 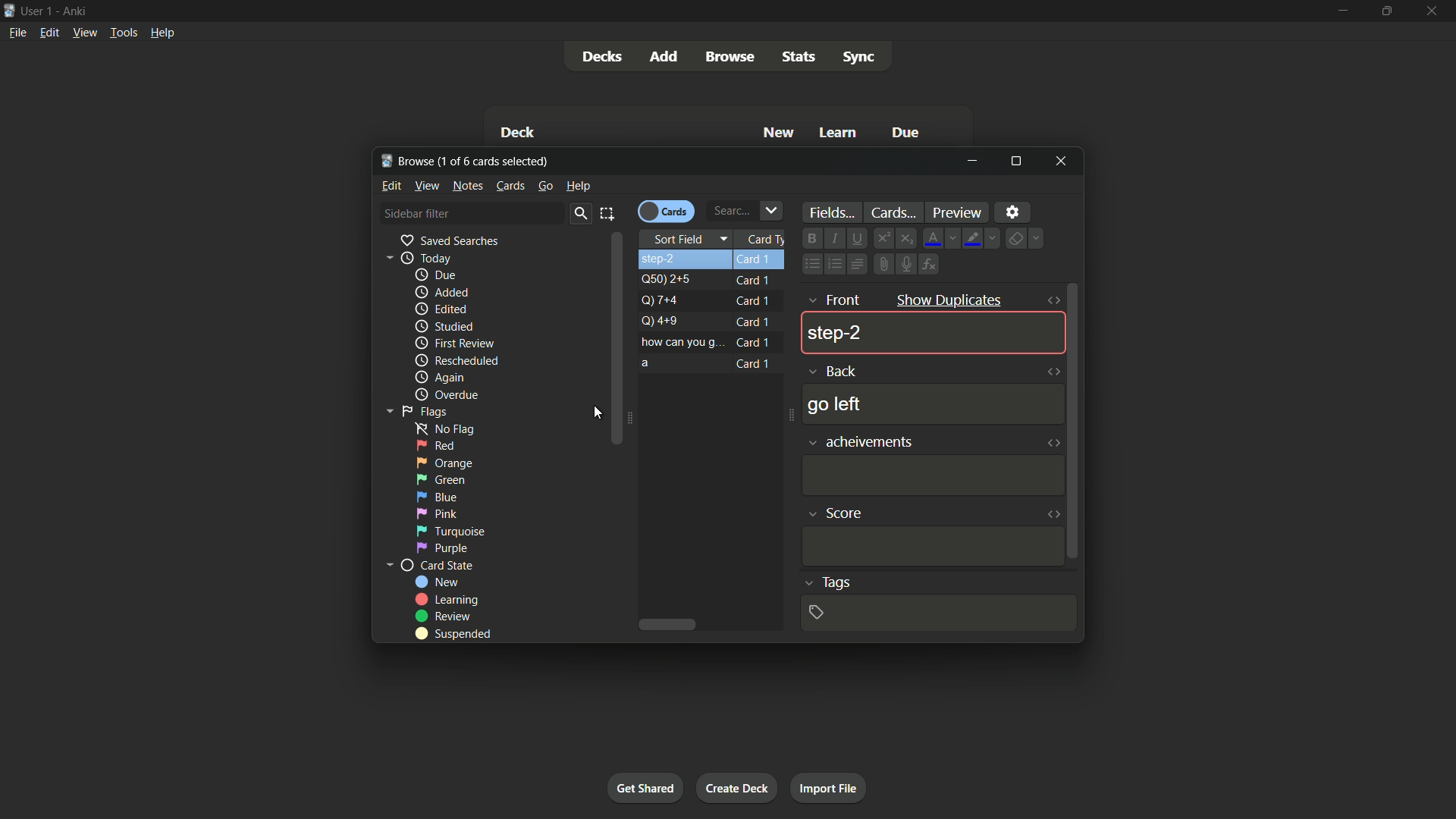 I want to click on Get started, so click(x=645, y=787).